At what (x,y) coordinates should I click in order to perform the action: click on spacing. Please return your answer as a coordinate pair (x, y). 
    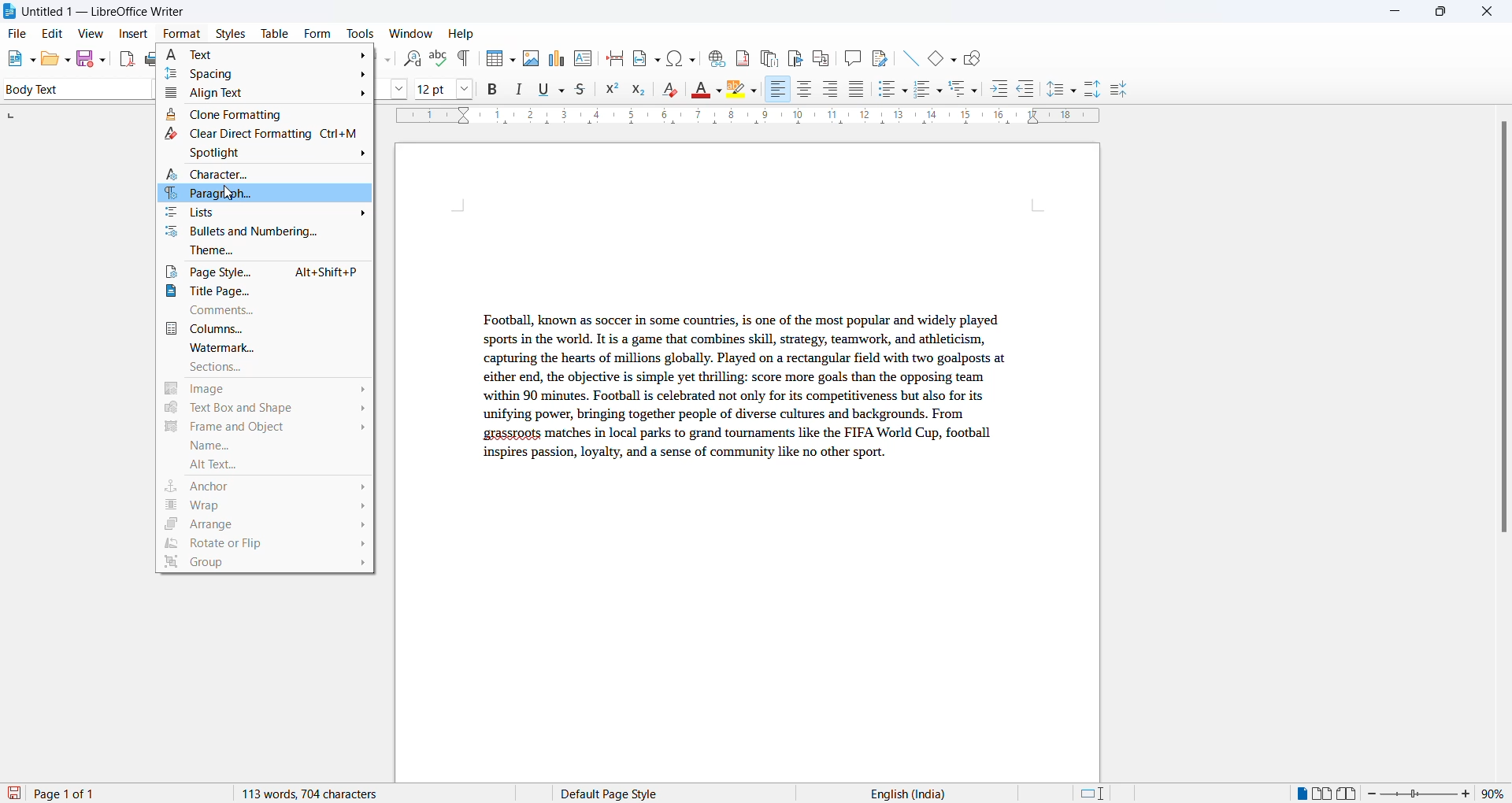
    Looking at the image, I should click on (271, 73).